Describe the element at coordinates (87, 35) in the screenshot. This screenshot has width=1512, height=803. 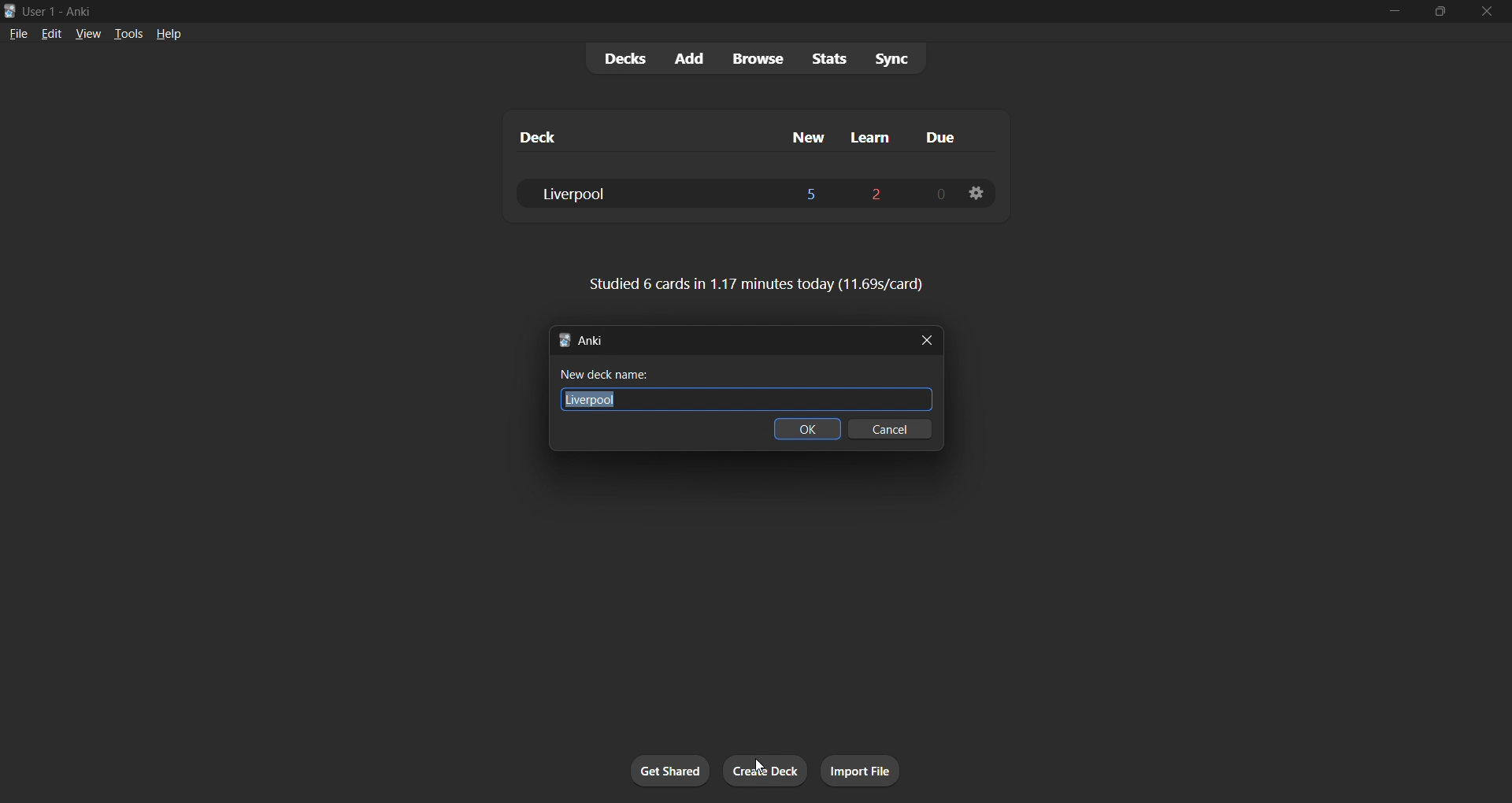
I see `view` at that location.